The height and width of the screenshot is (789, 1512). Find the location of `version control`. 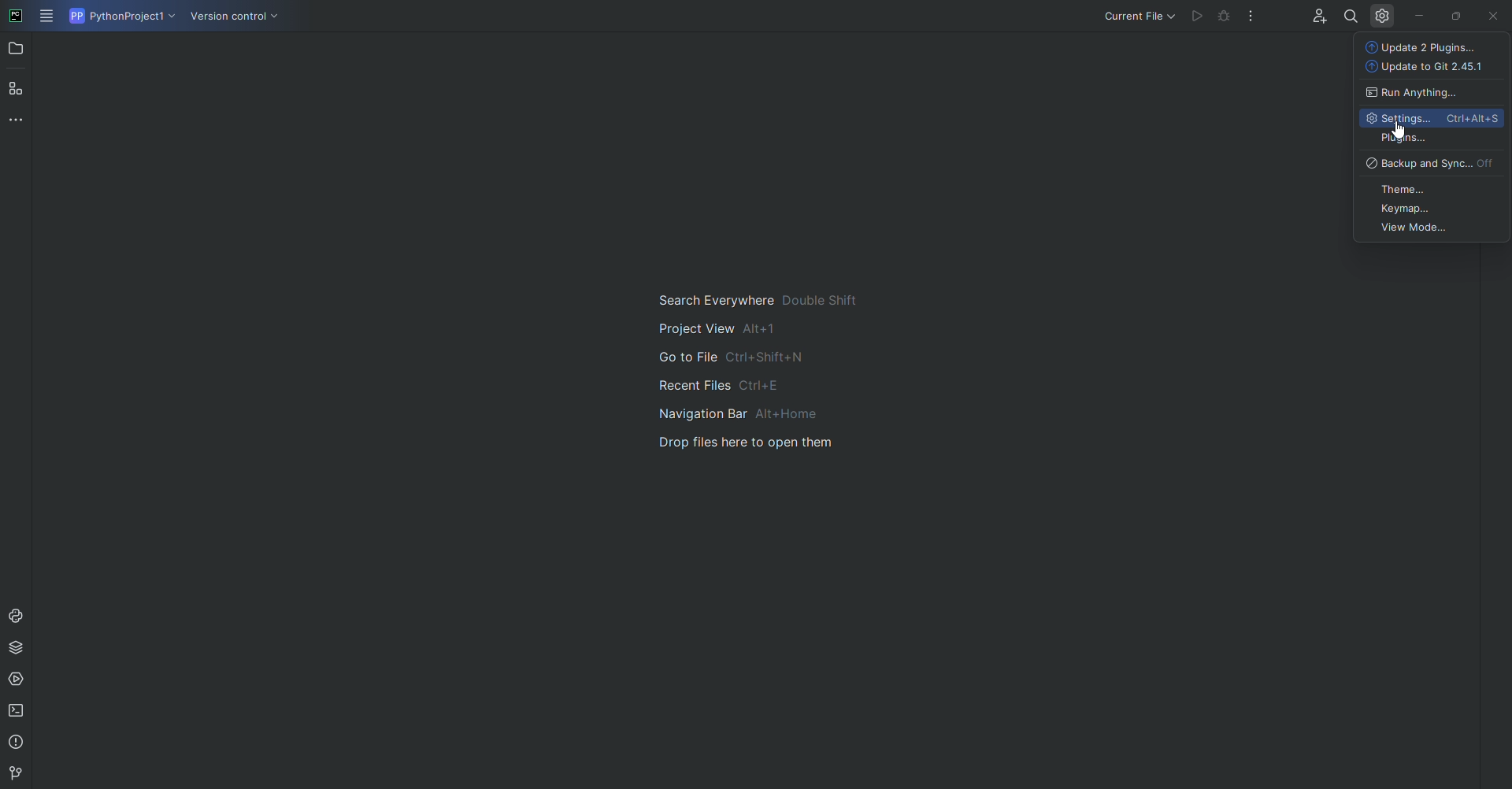

version control is located at coordinates (17, 771).